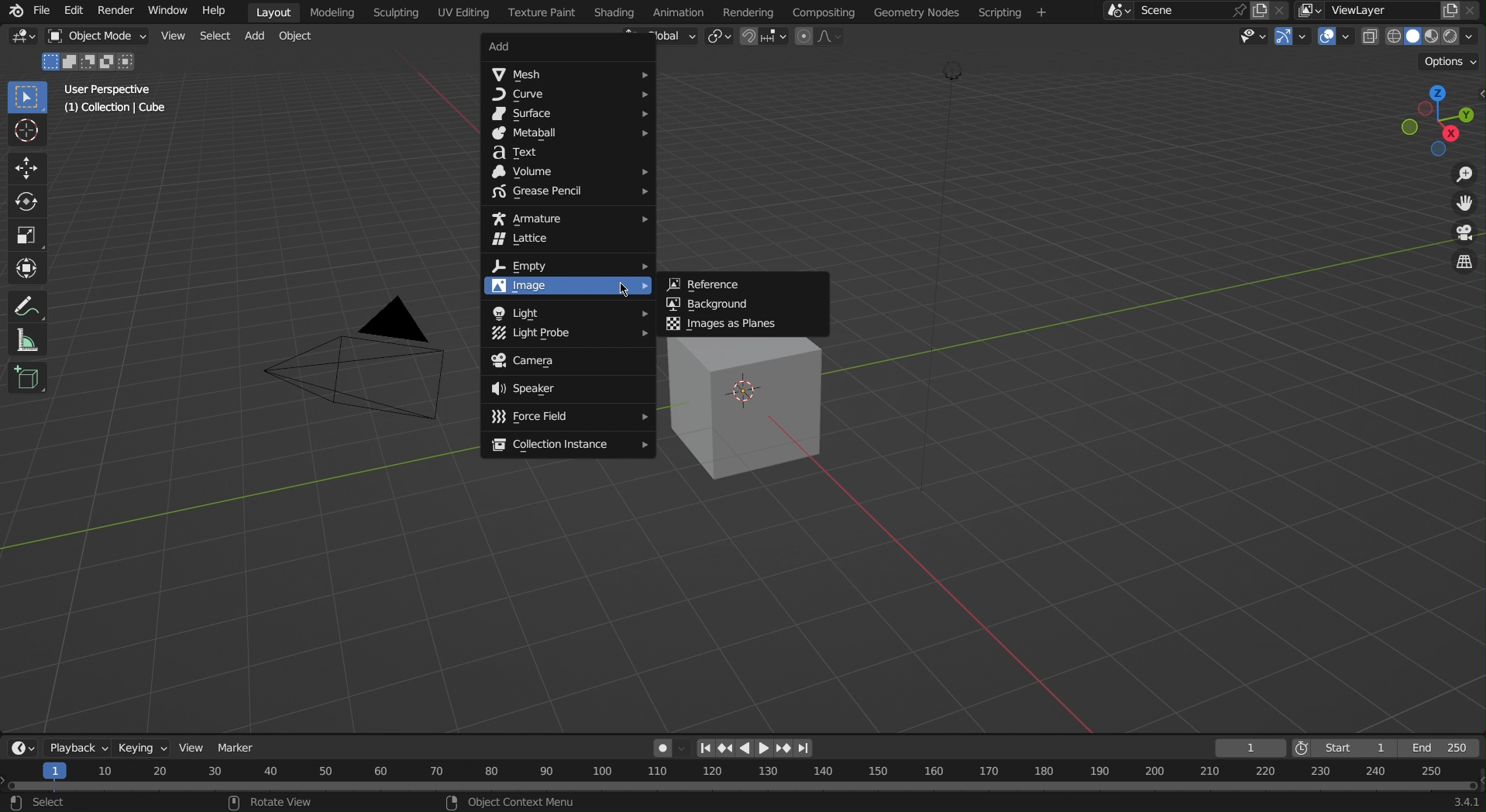  Describe the element at coordinates (25, 98) in the screenshot. I see `Select Box` at that location.